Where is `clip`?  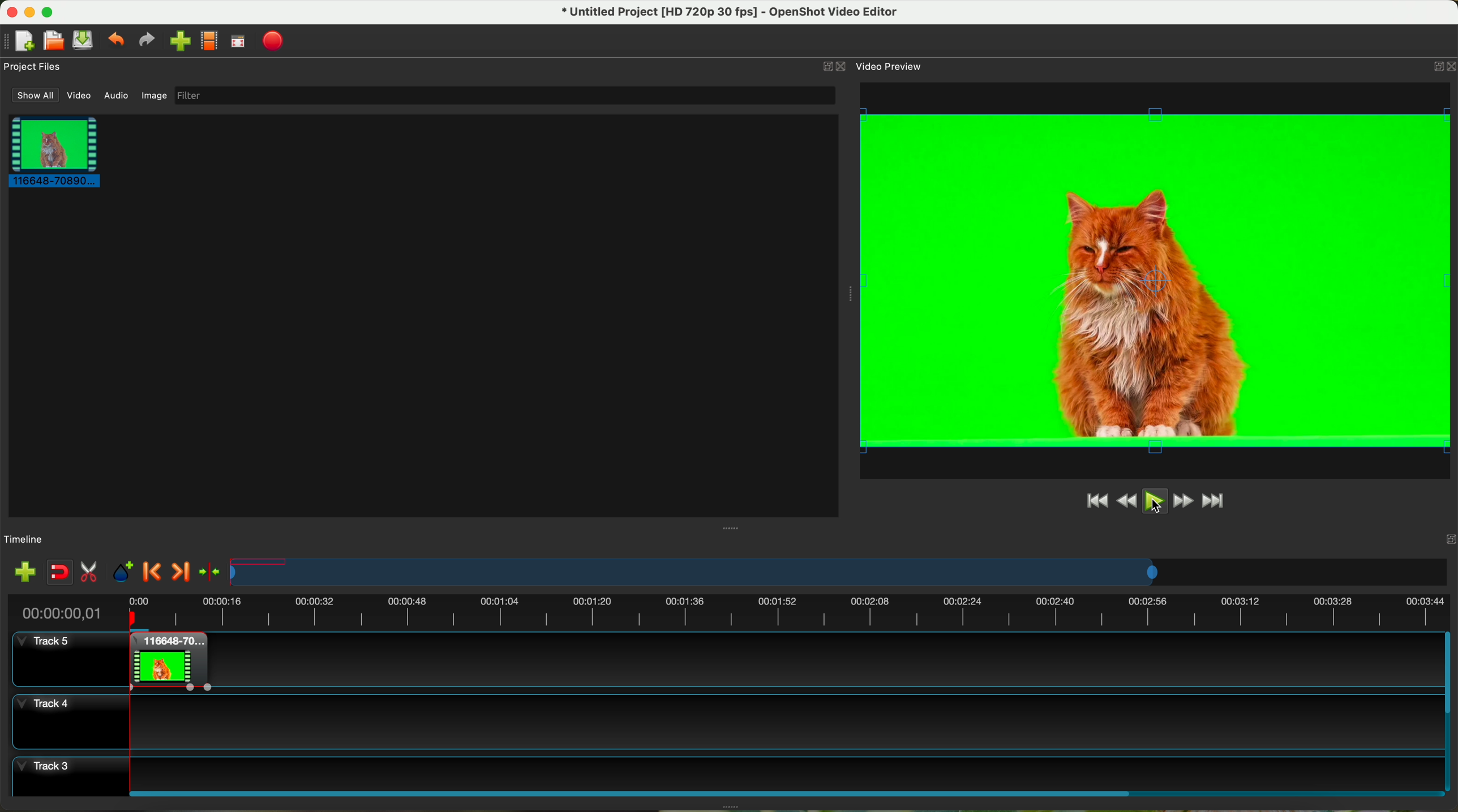 clip is located at coordinates (165, 657).